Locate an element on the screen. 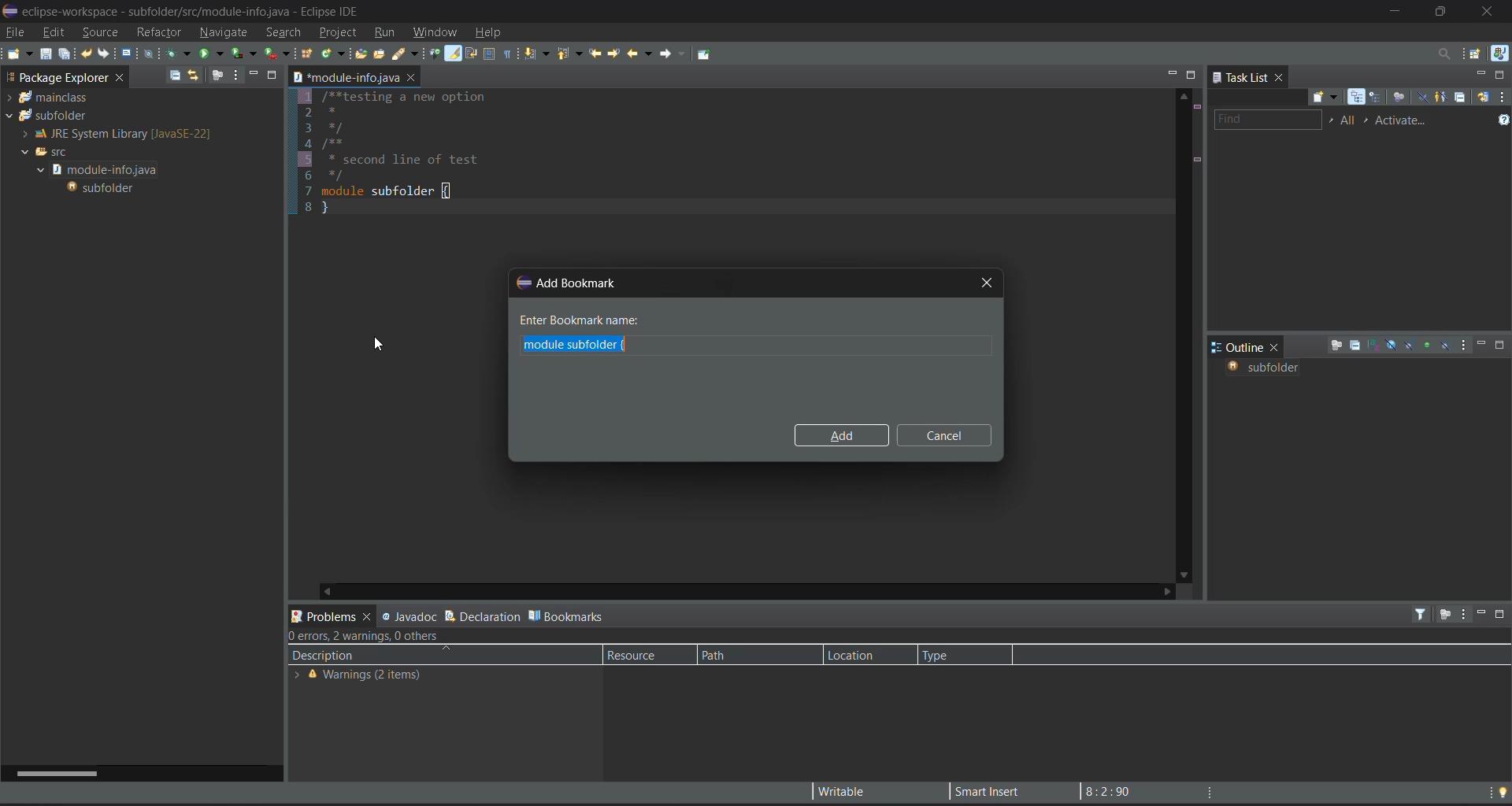 This screenshot has height=806, width=1512. window is located at coordinates (439, 31).